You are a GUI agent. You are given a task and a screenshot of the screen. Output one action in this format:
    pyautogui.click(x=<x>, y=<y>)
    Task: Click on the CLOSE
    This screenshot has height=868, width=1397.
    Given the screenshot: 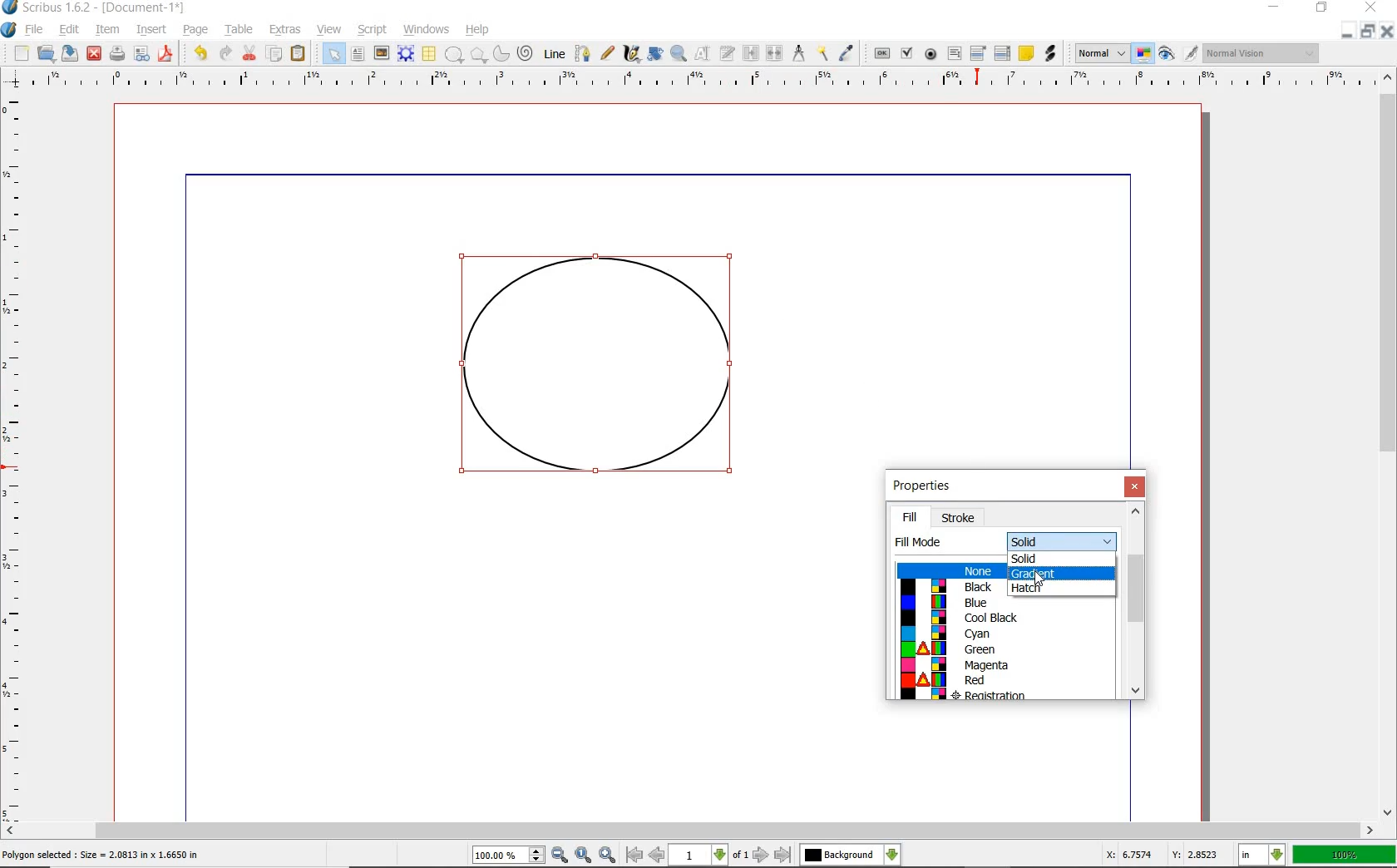 What is the action you would take?
    pyautogui.click(x=1387, y=32)
    